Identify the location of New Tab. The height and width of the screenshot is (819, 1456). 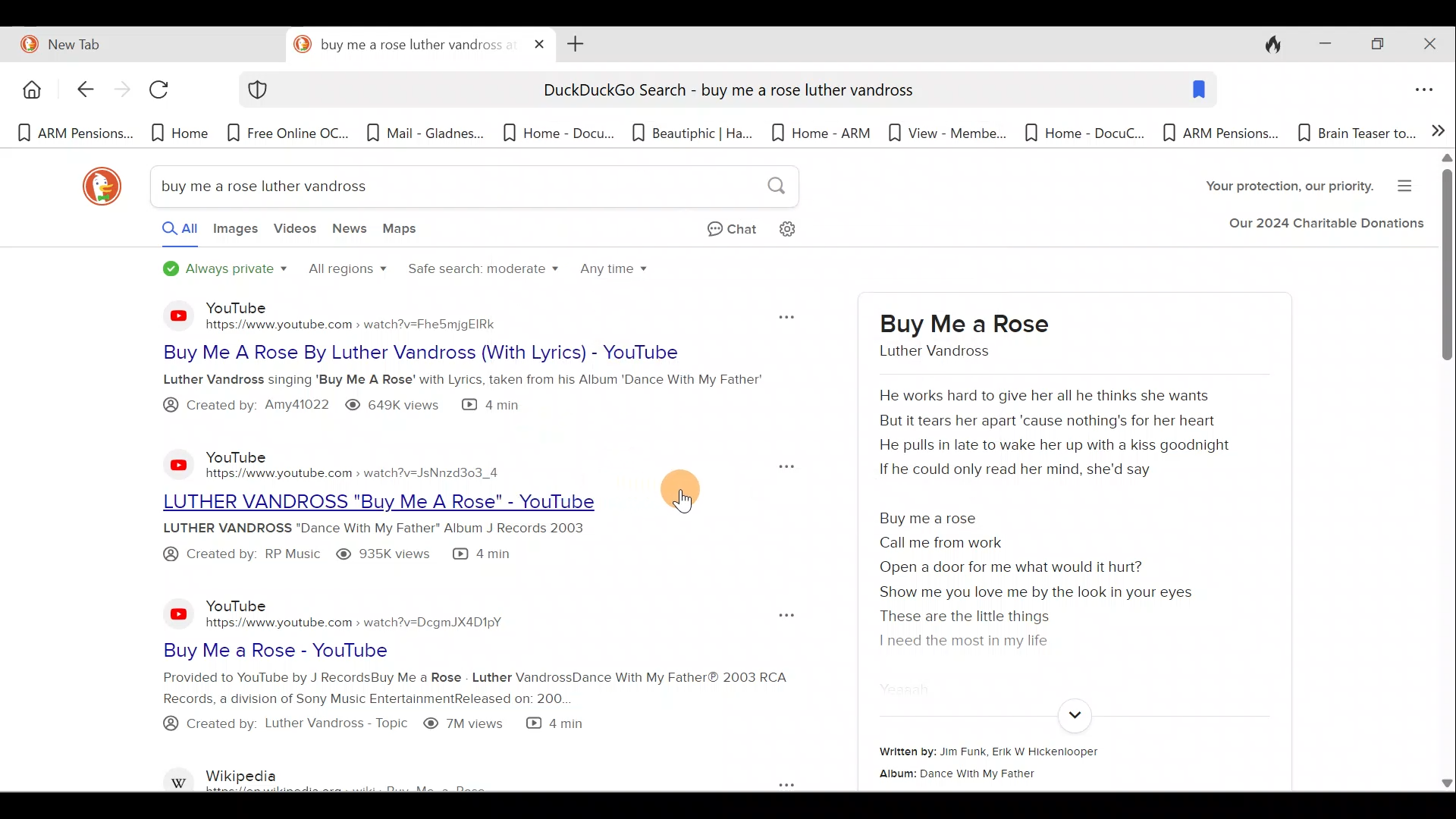
(140, 42).